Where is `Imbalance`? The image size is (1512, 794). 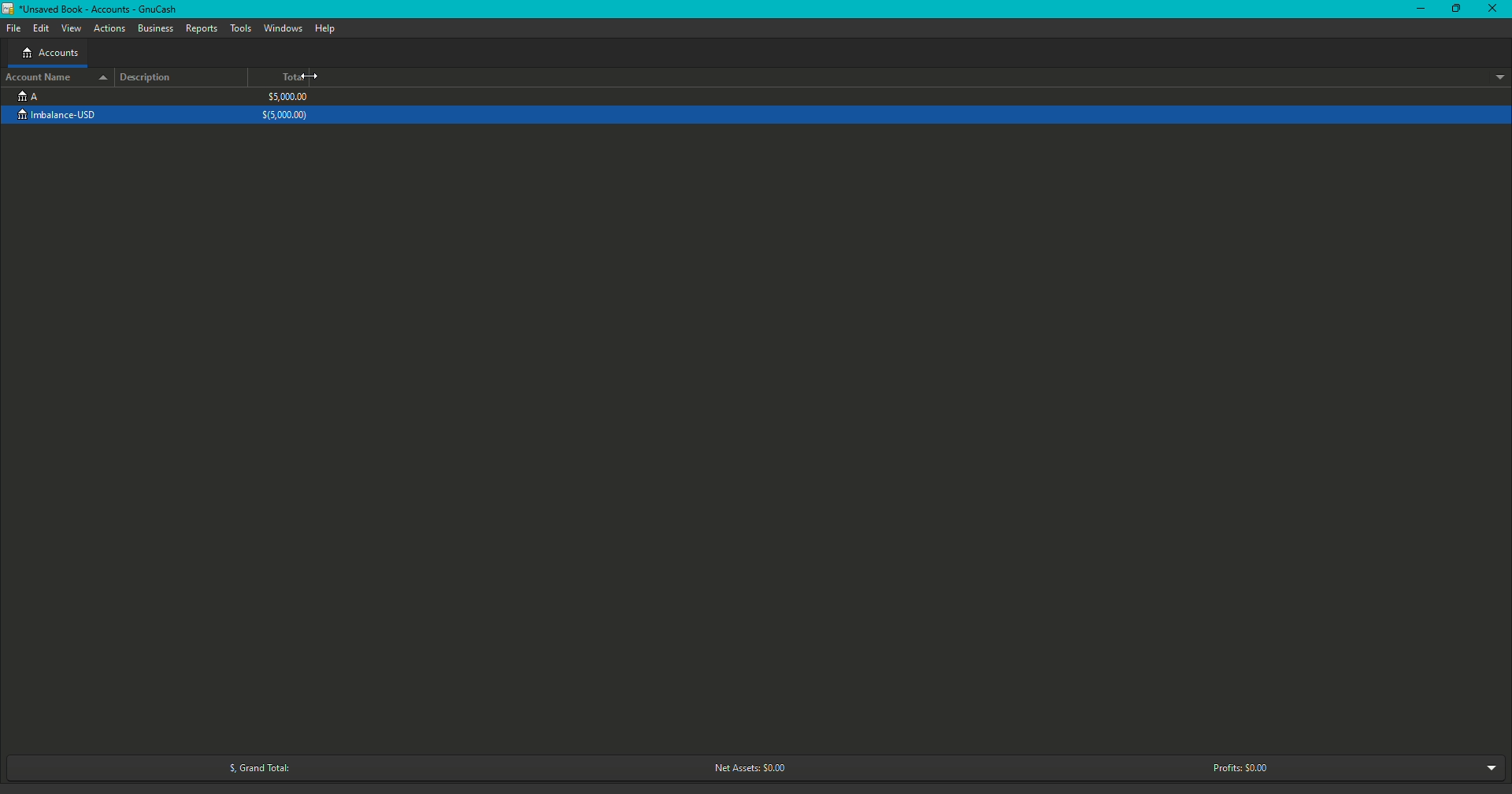 Imbalance is located at coordinates (65, 116).